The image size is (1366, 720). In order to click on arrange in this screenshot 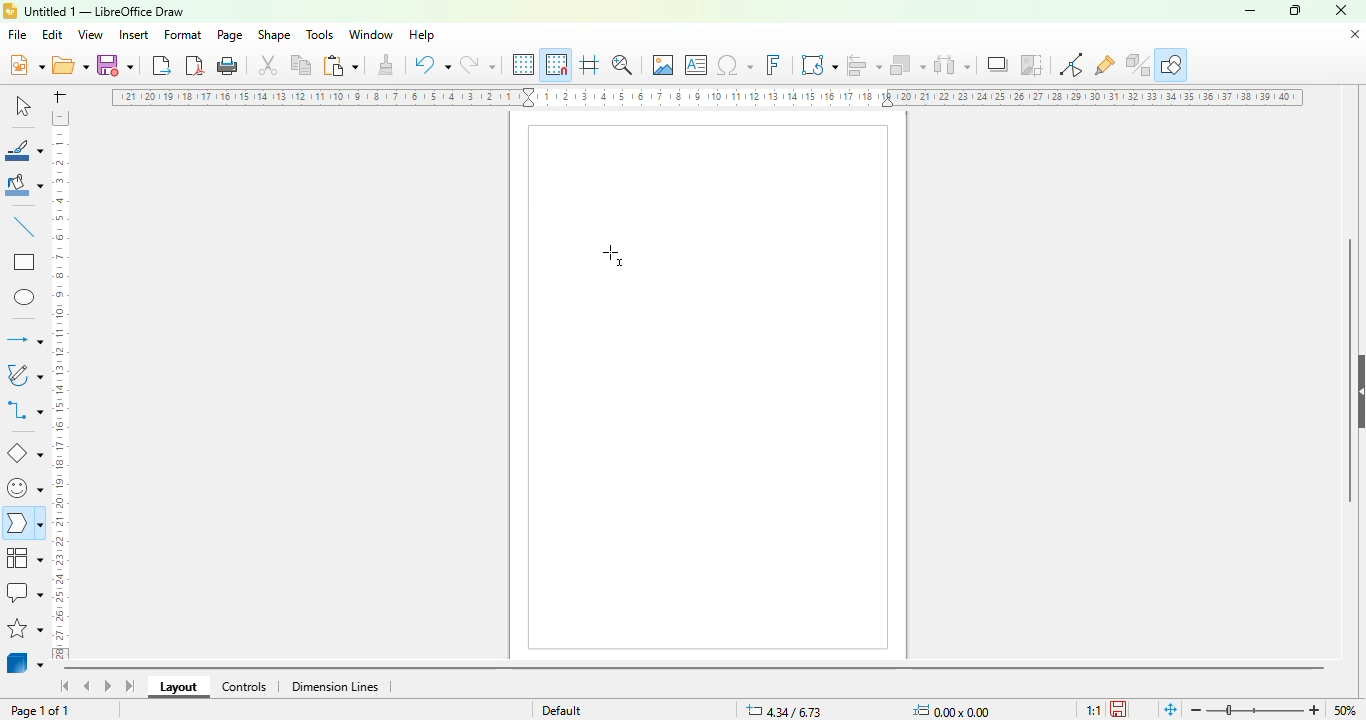, I will do `click(908, 65)`.